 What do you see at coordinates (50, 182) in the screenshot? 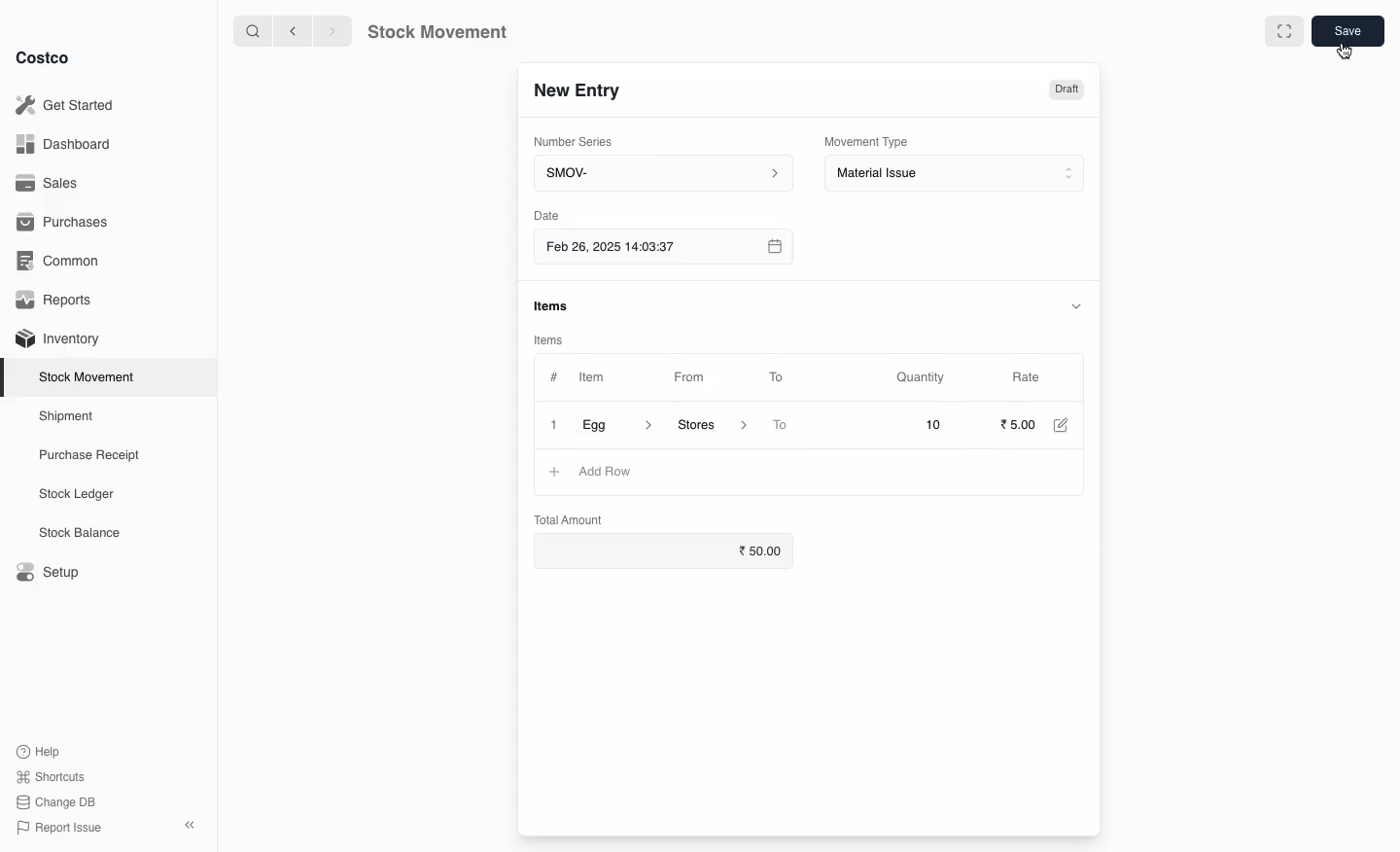
I see `Sales` at bounding box center [50, 182].